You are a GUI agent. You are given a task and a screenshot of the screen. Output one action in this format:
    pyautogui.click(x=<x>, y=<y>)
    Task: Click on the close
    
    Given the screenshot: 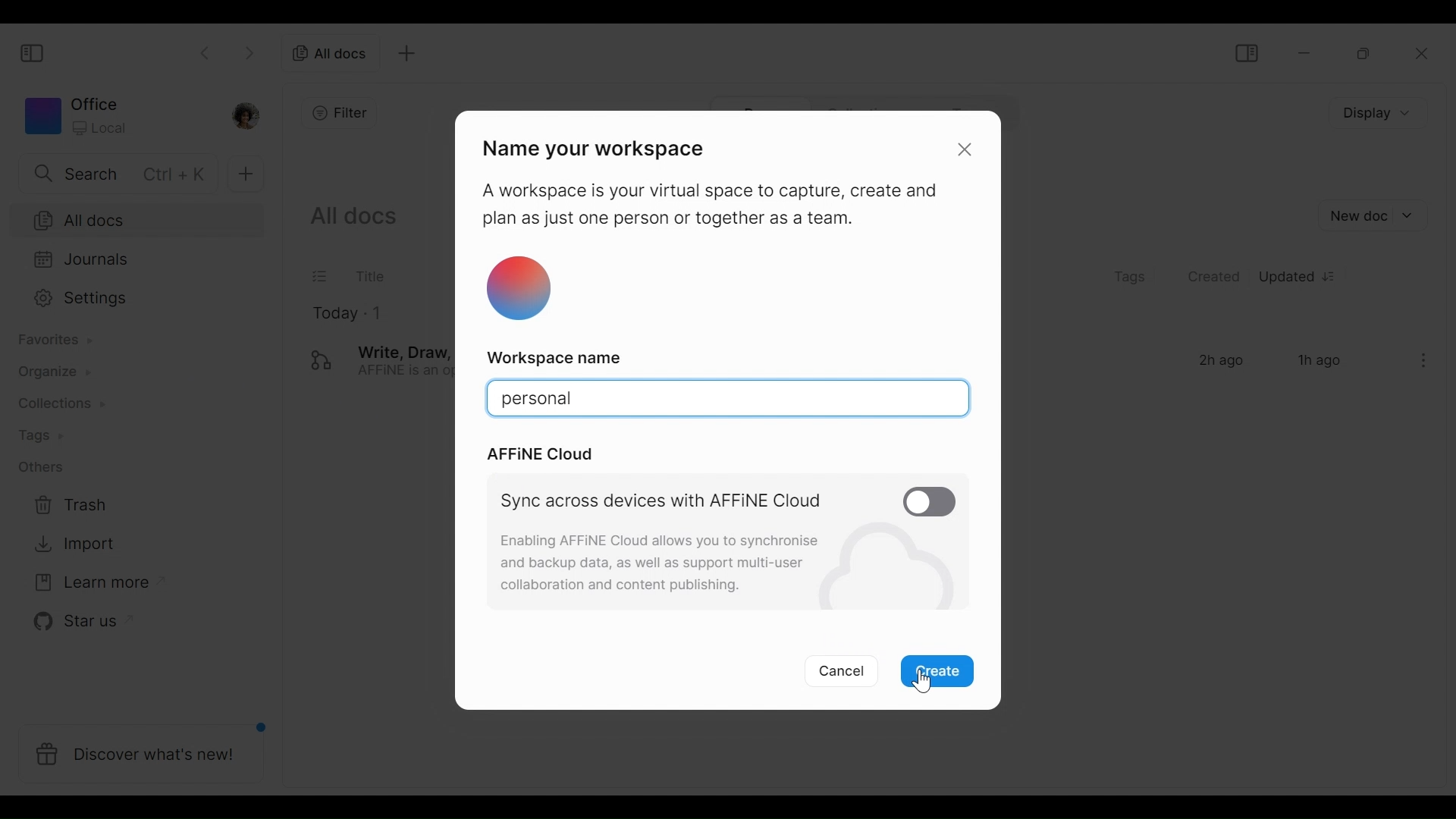 What is the action you would take?
    pyautogui.click(x=966, y=149)
    